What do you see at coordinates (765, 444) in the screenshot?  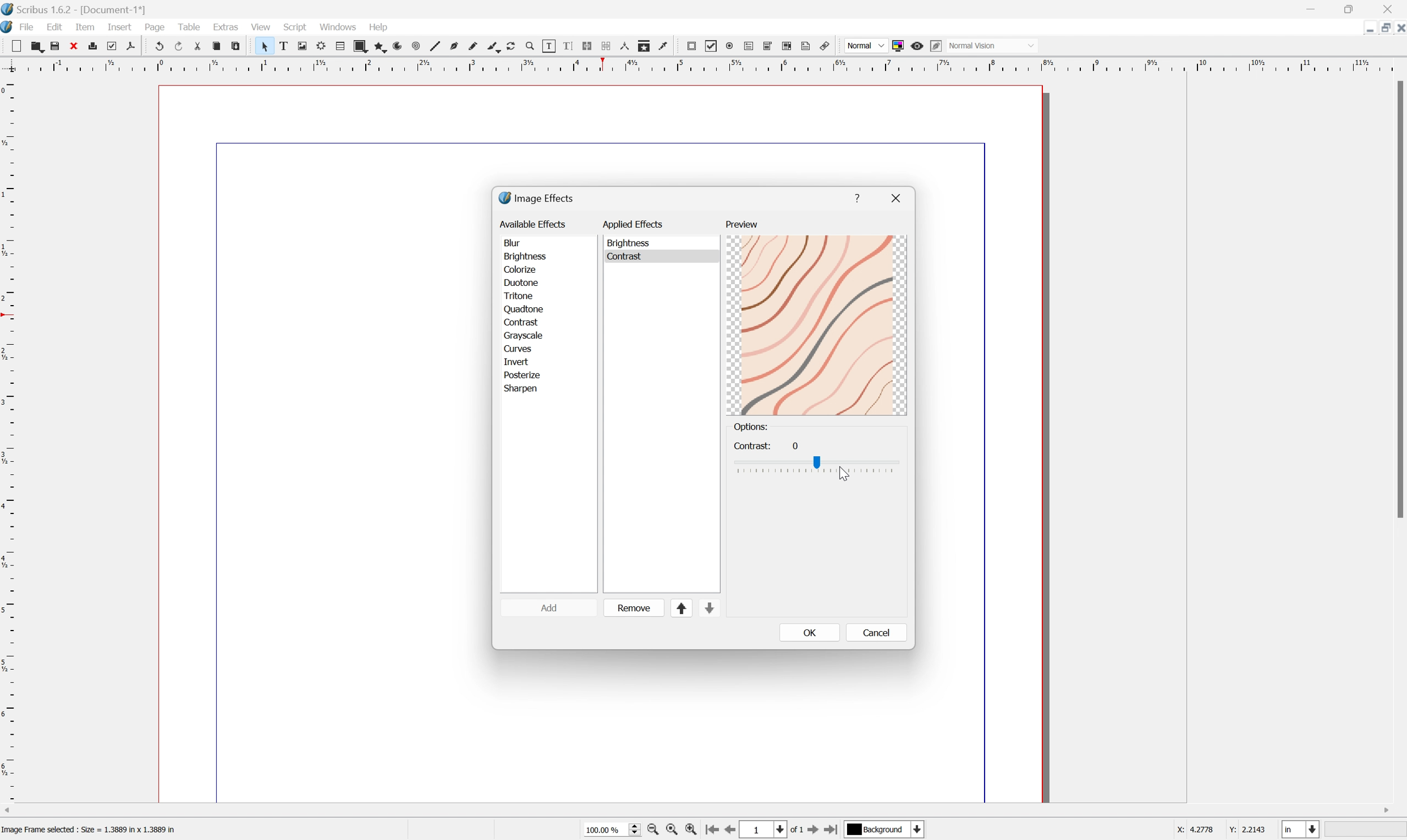 I see `contrast: 0` at bounding box center [765, 444].